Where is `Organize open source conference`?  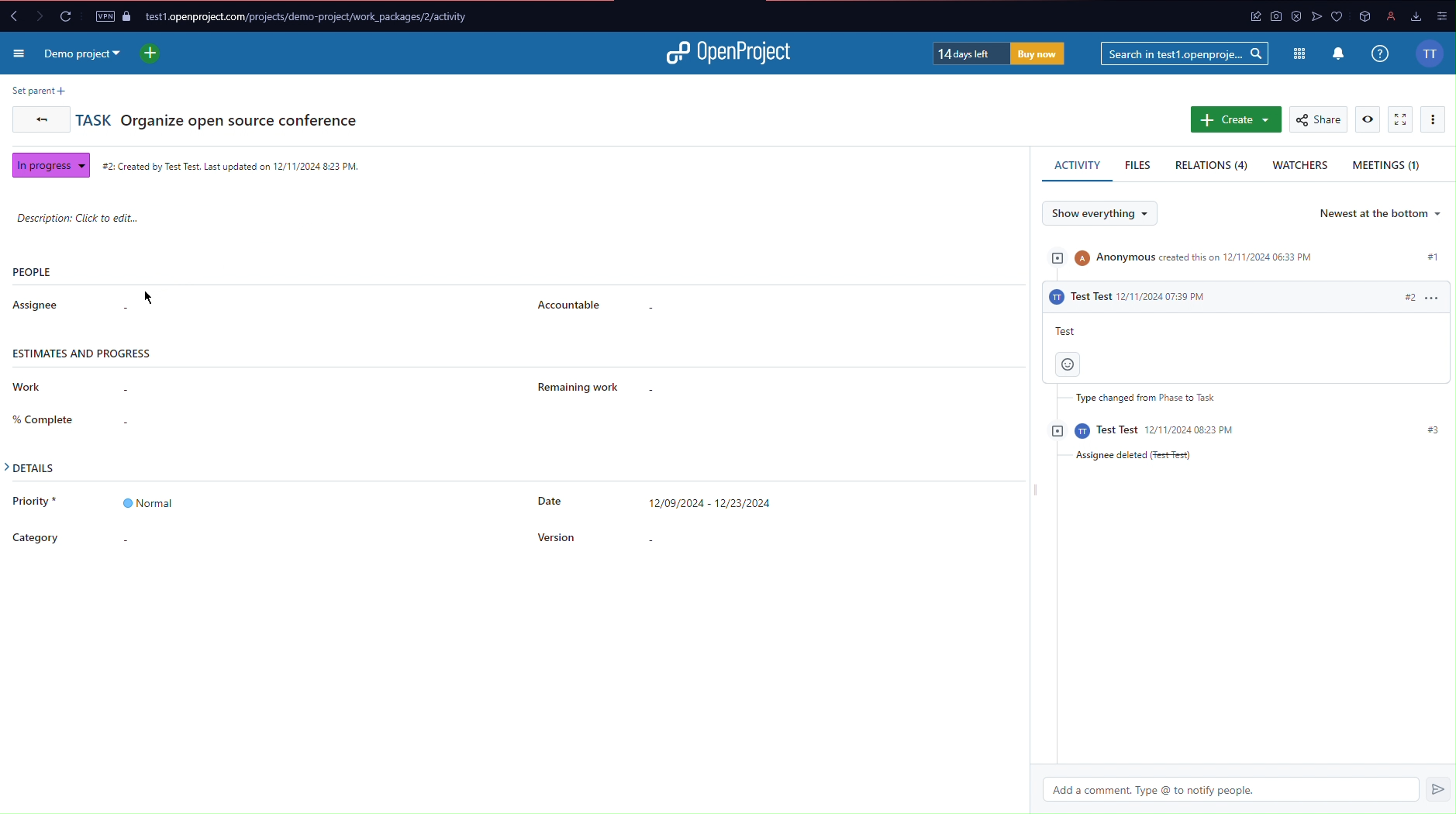
Organize open source conference is located at coordinates (241, 119).